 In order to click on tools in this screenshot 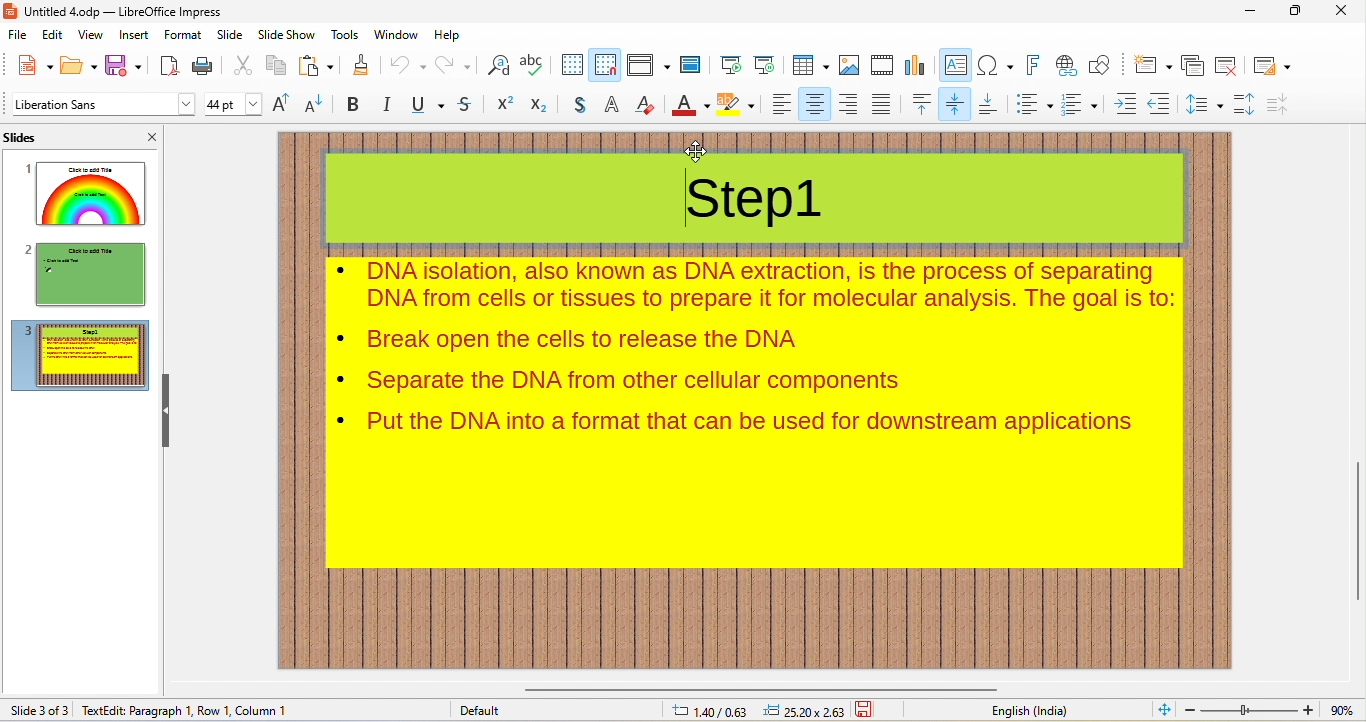, I will do `click(346, 36)`.